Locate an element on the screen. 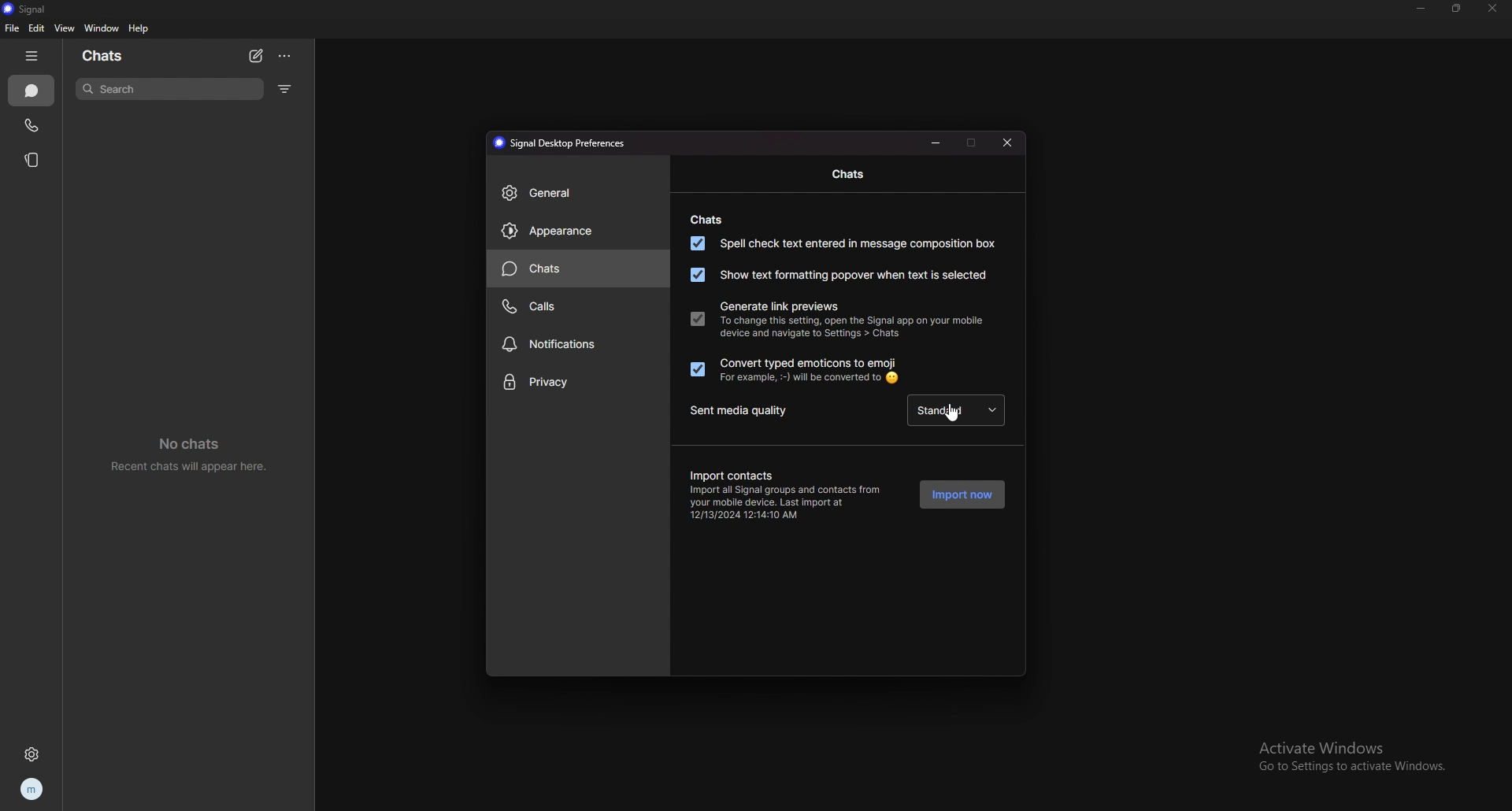  signal is located at coordinates (35, 9).